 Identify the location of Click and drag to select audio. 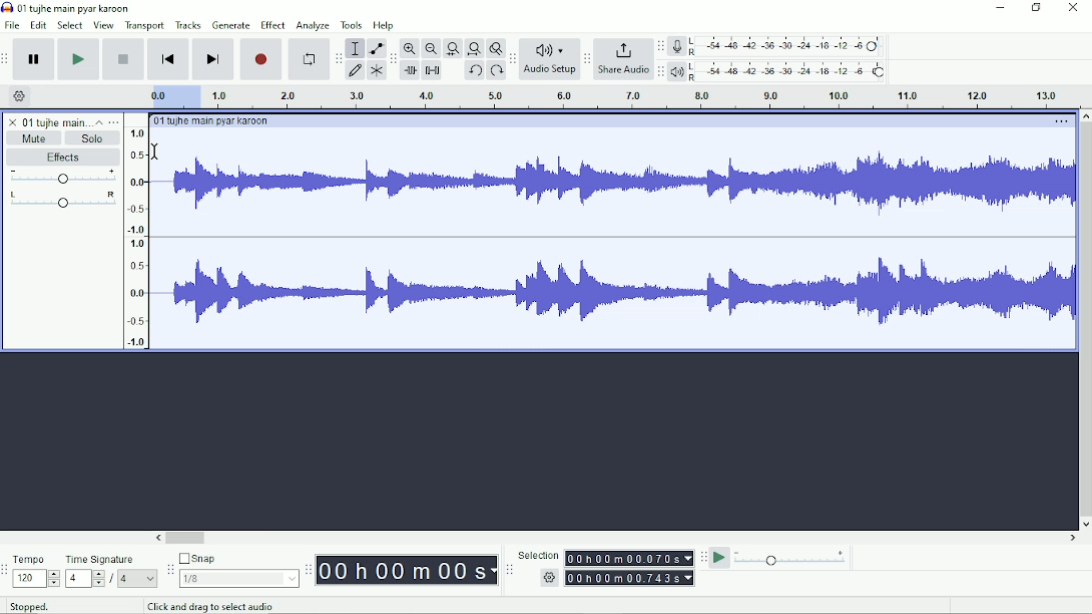
(220, 606).